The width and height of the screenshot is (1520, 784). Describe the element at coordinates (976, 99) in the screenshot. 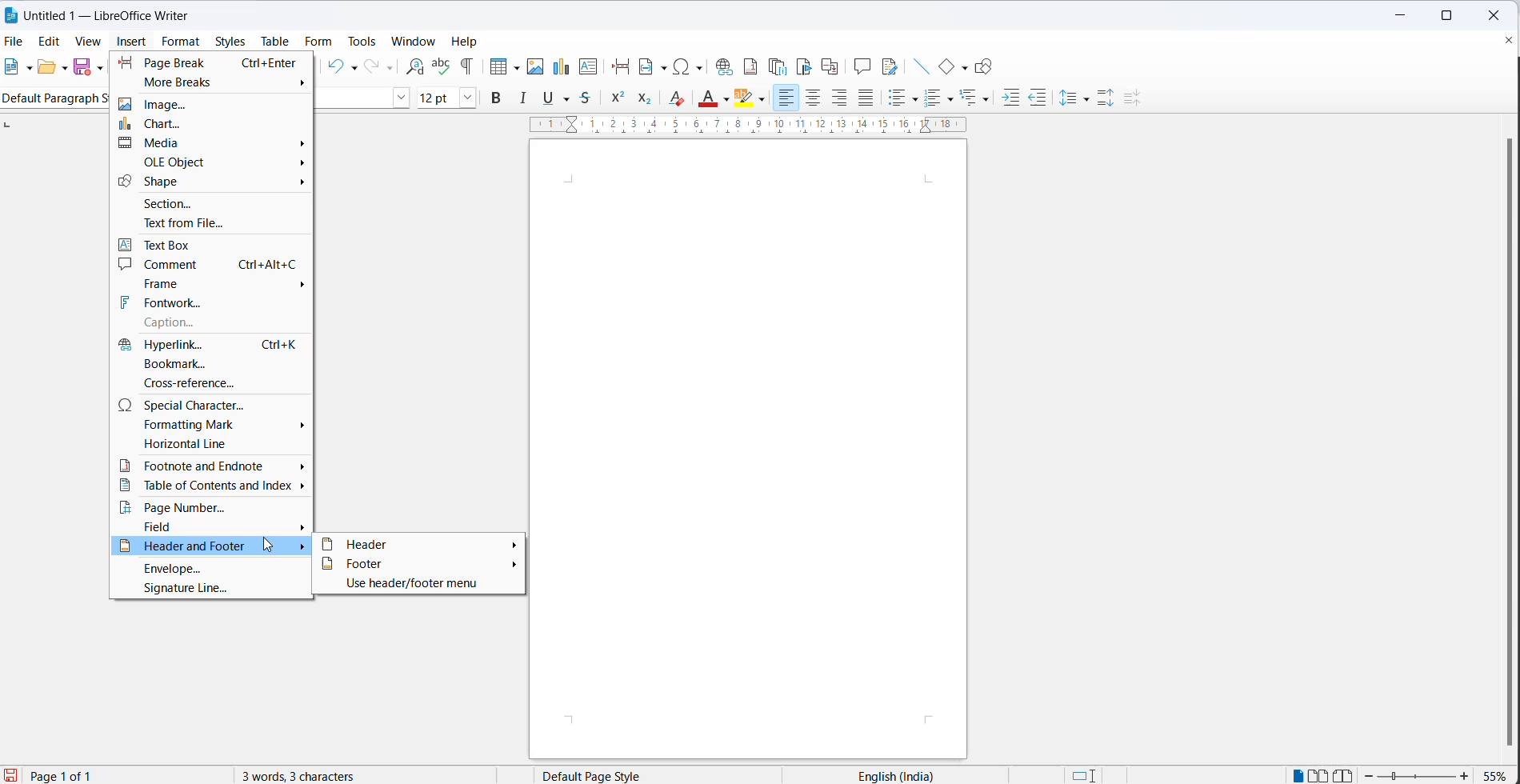

I see `select outline format` at that location.